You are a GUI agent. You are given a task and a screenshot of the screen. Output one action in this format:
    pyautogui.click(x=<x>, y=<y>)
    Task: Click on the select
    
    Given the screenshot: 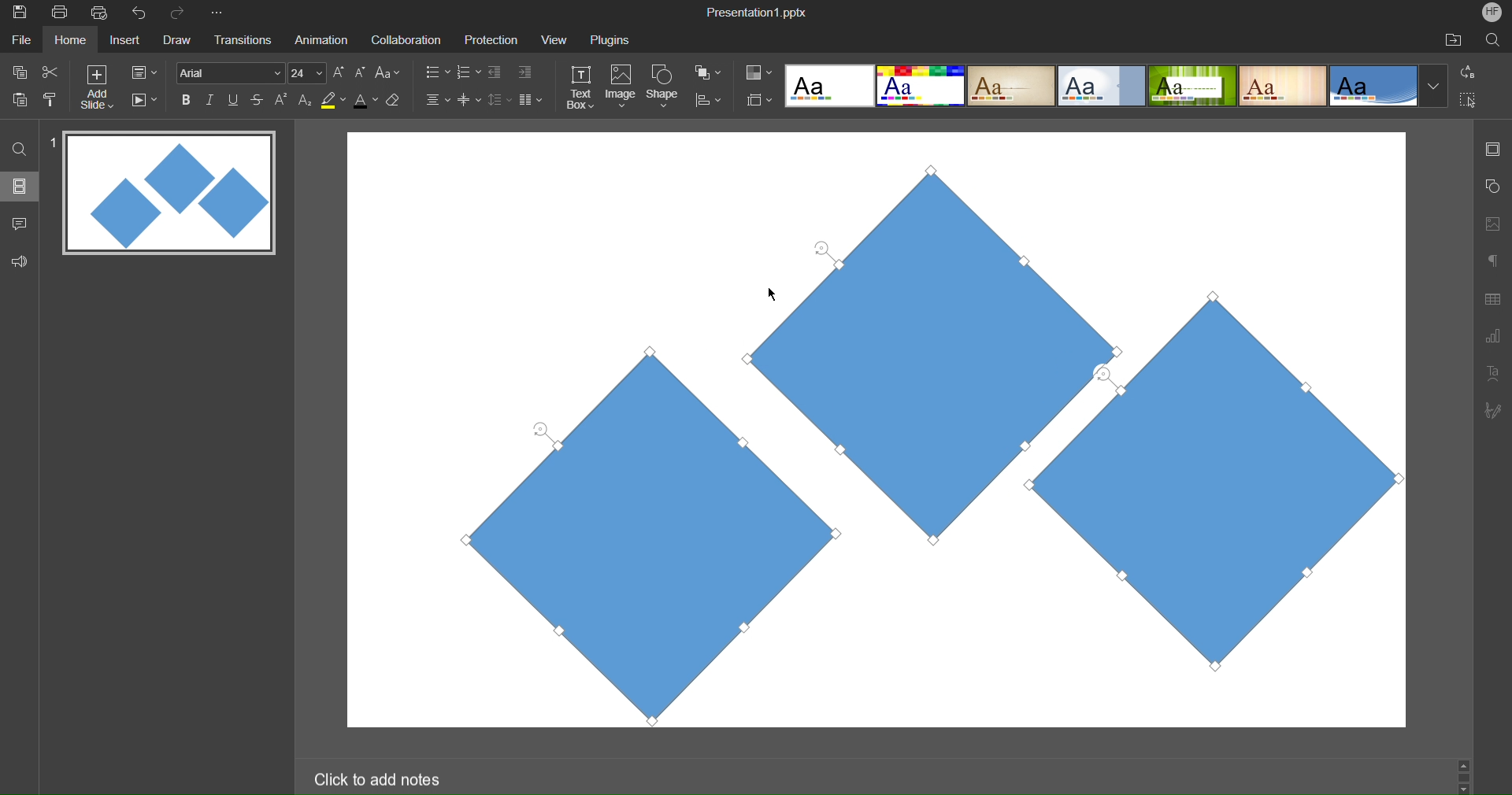 What is the action you would take?
    pyautogui.click(x=1474, y=102)
    